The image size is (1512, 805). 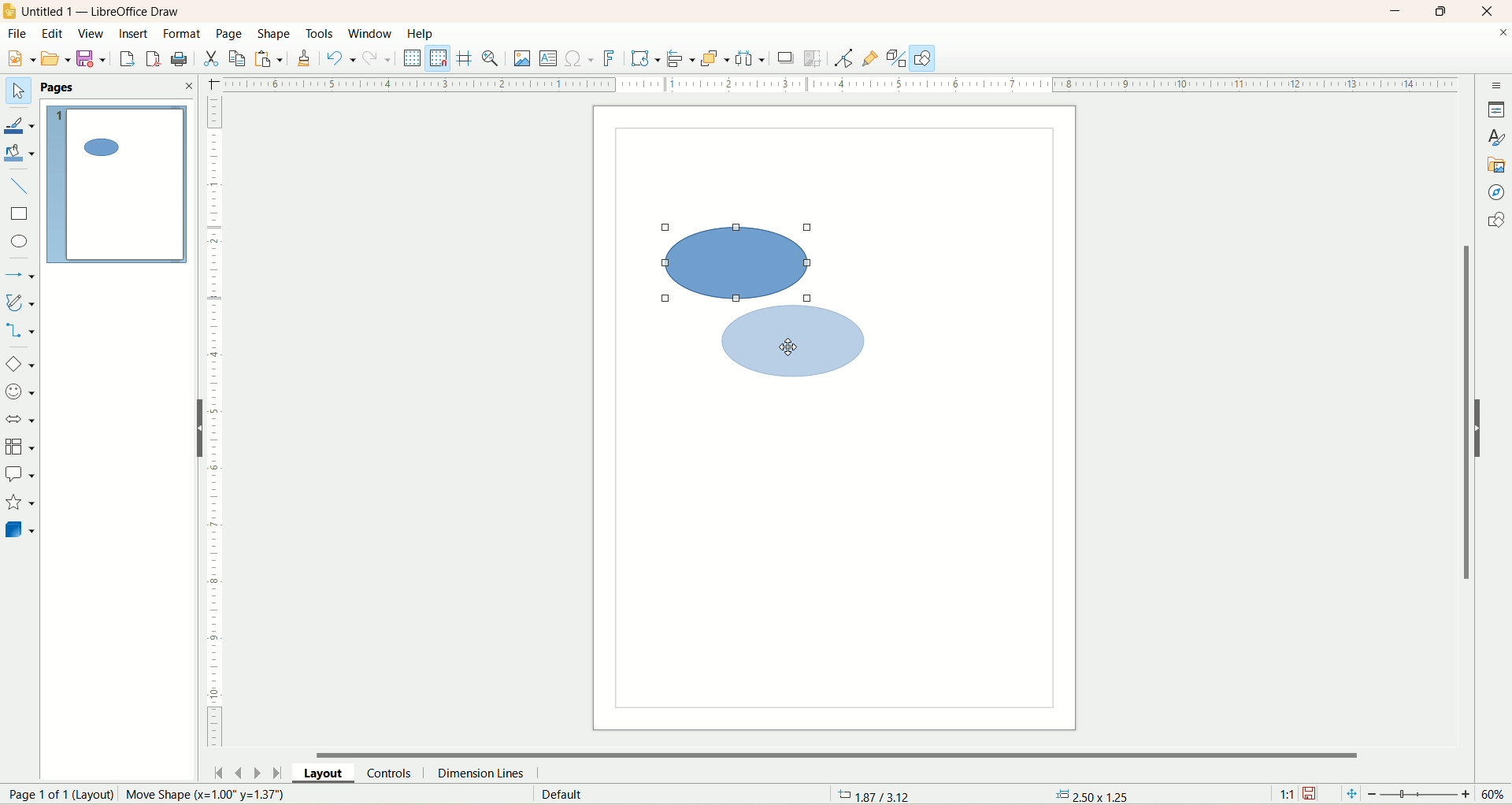 I want to click on curve and polygon, so click(x=20, y=302).